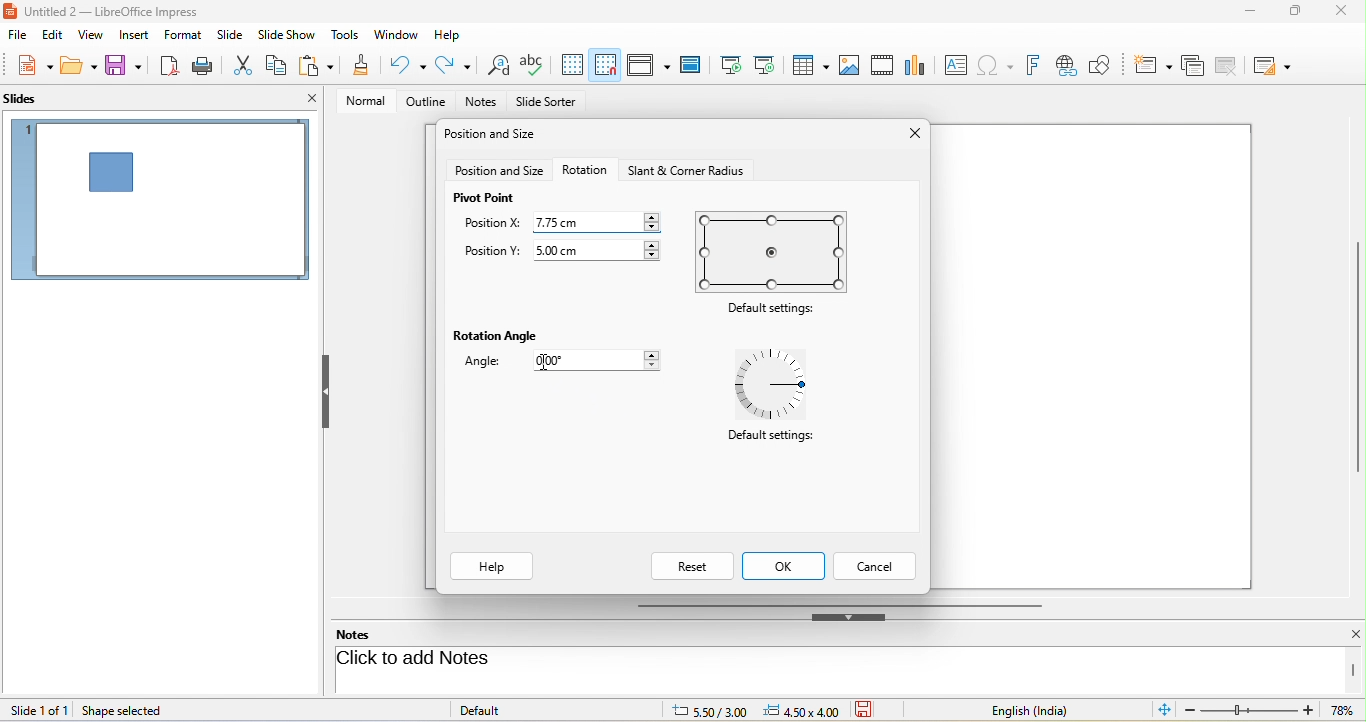 The width and height of the screenshot is (1366, 722). Describe the element at coordinates (449, 33) in the screenshot. I see `help` at that location.